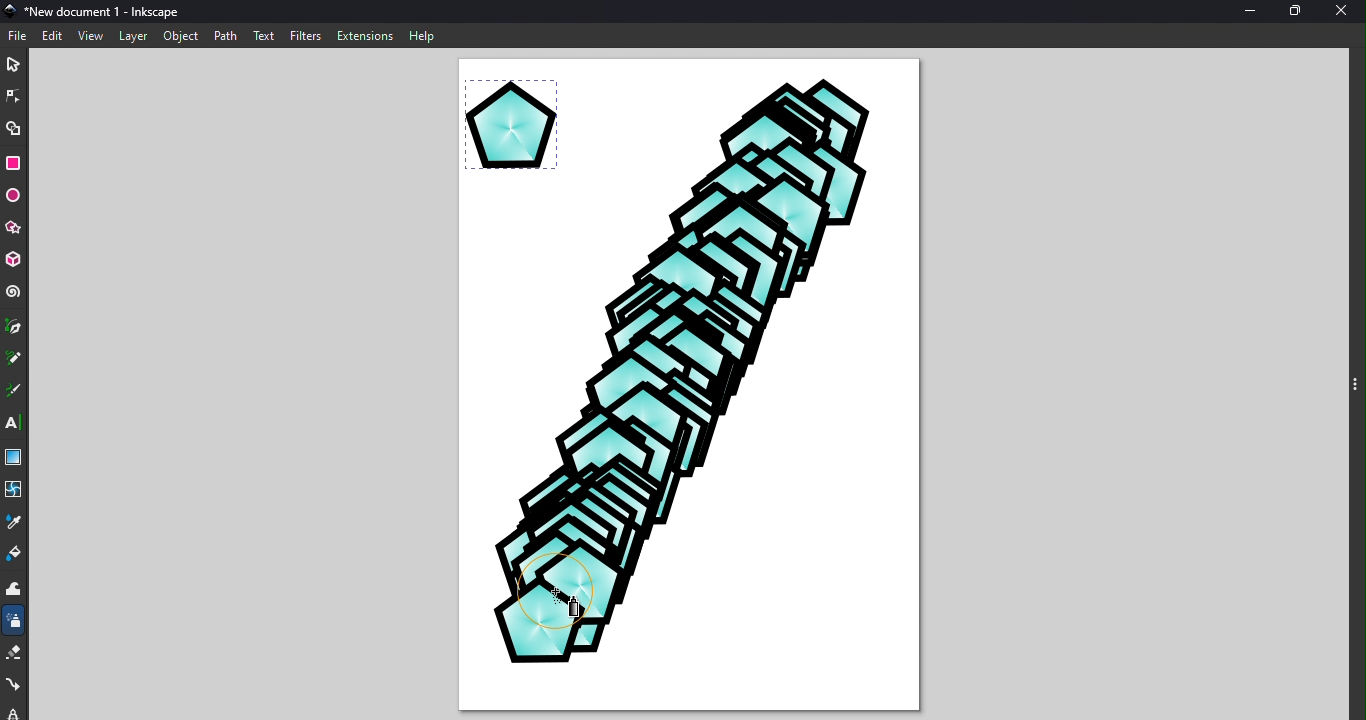 This screenshot has width=1366, height=720. I want to click on Eraser tool, so click(15, 655).